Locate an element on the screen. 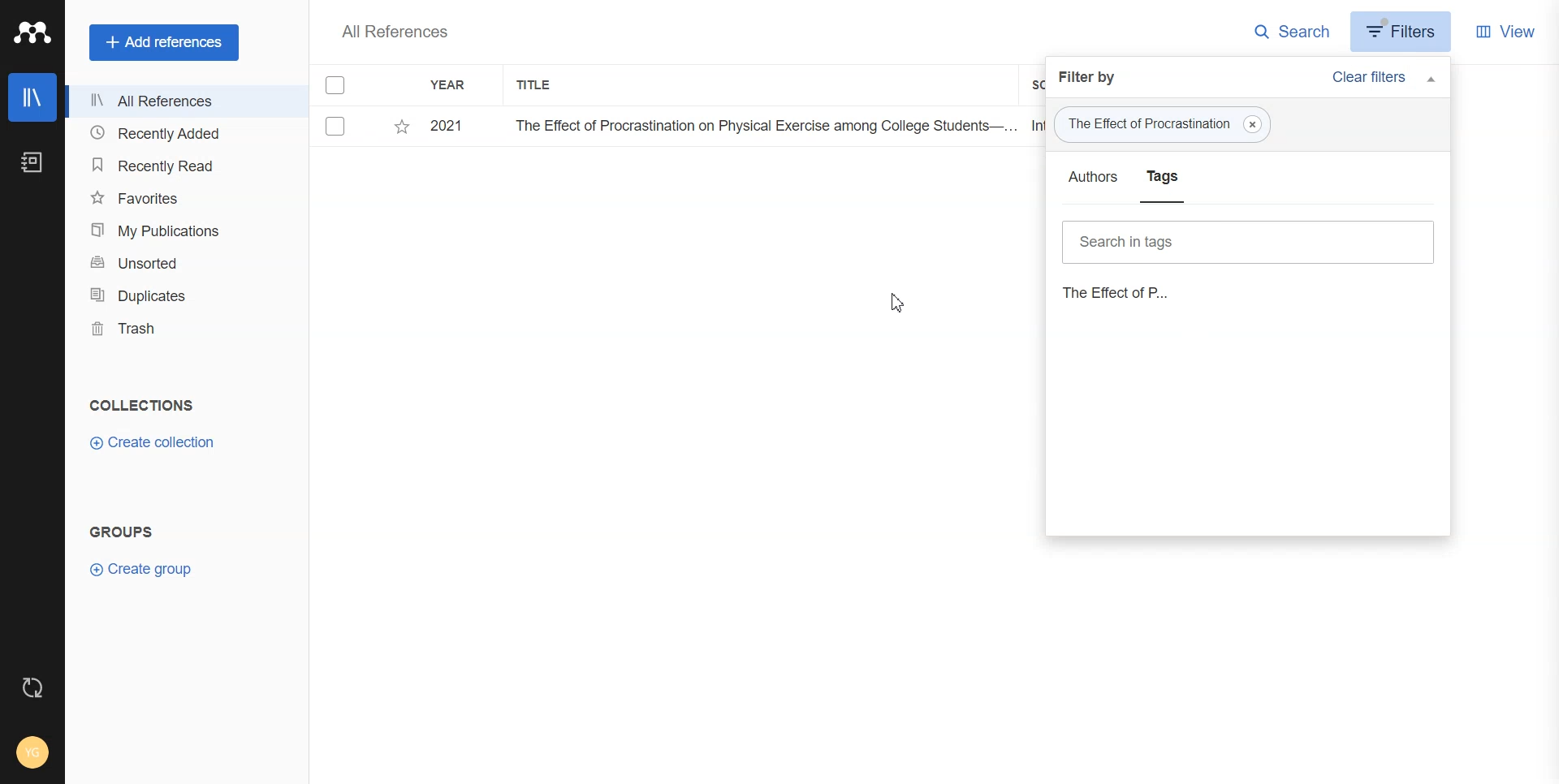 This screenshot has width=1559, height=784. Create collection is located at coordinates (153, 442).